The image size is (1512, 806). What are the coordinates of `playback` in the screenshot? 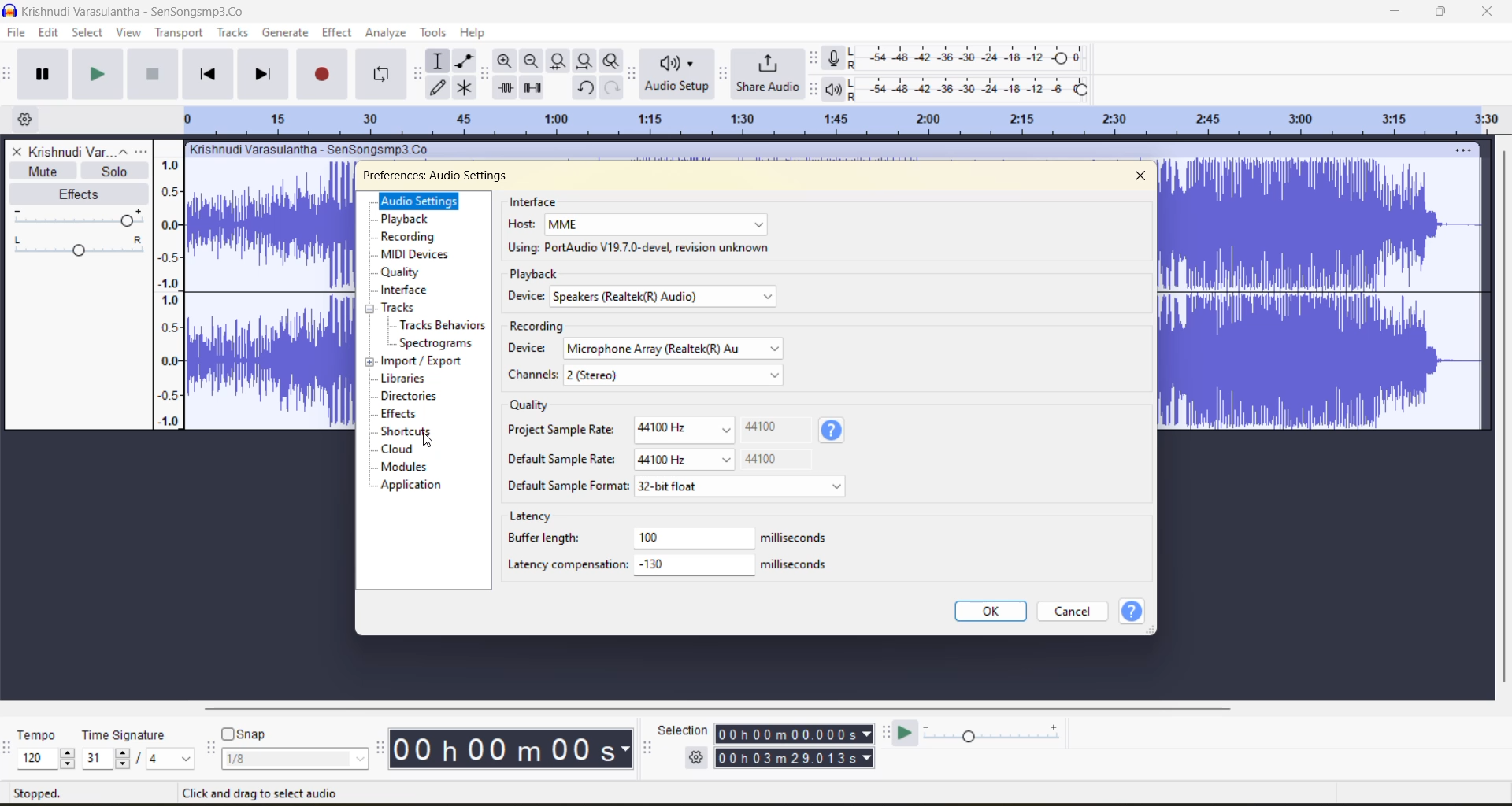 It's located at (411, 220).